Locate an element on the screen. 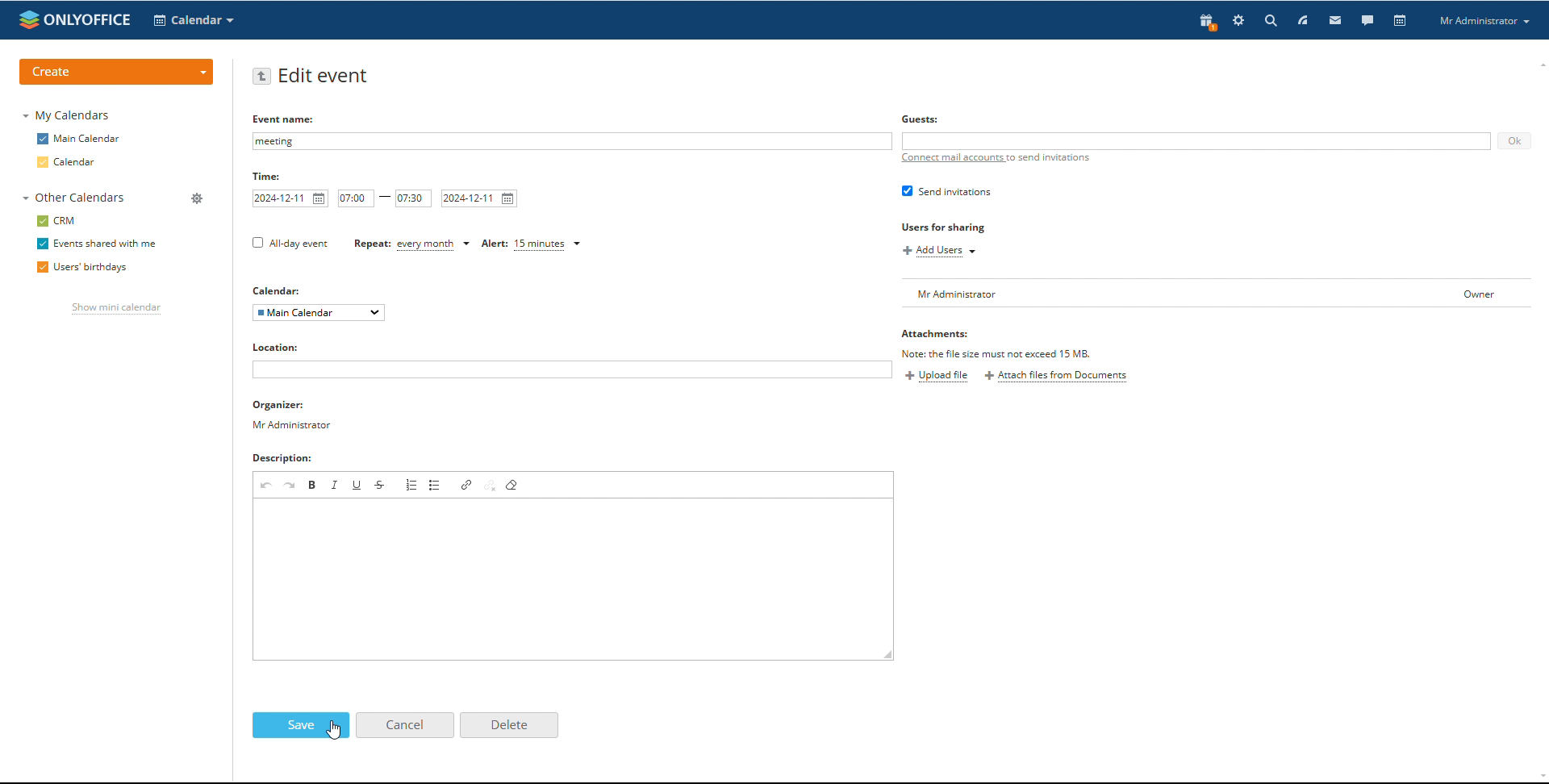  calendar is located at coordinates (1401, 20).